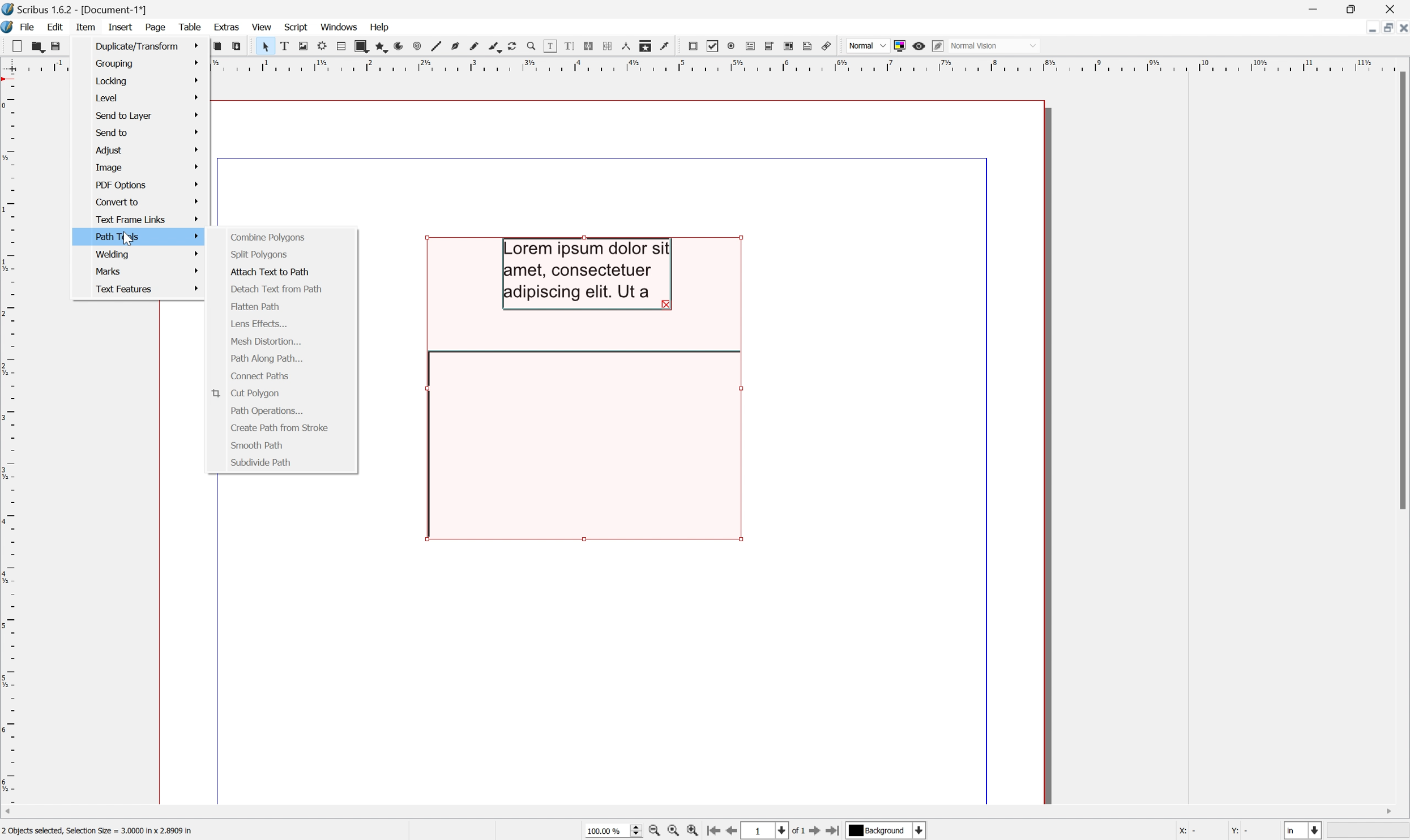 Image resolution: width=1410 pixels, height=840 pixels. I want to click on Eye dropper, so click(666, 46).